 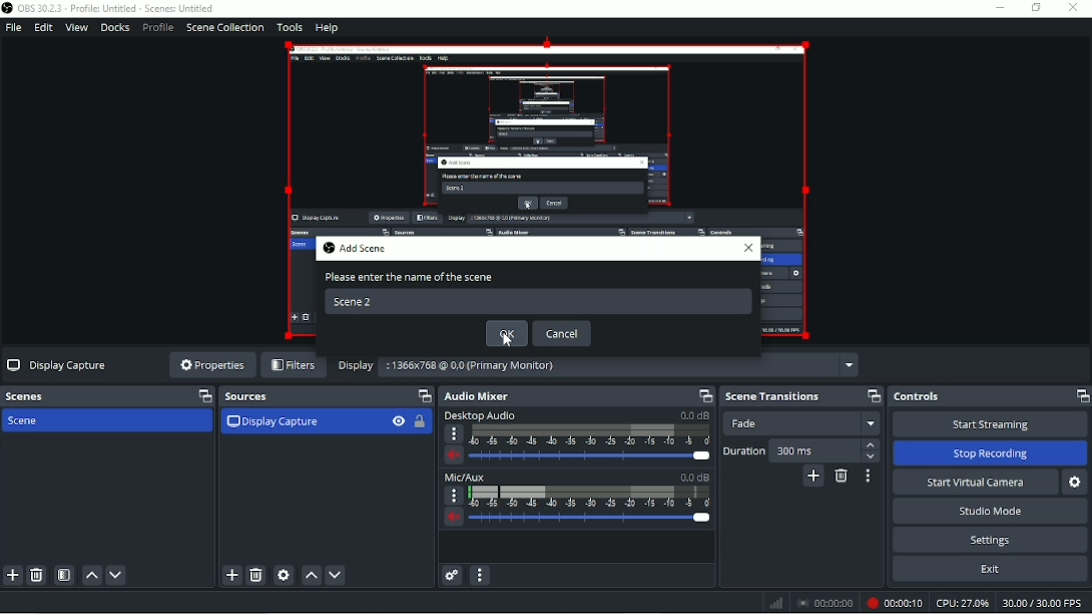 I want to click on Start virtual camera, so click(x=975, y=482).